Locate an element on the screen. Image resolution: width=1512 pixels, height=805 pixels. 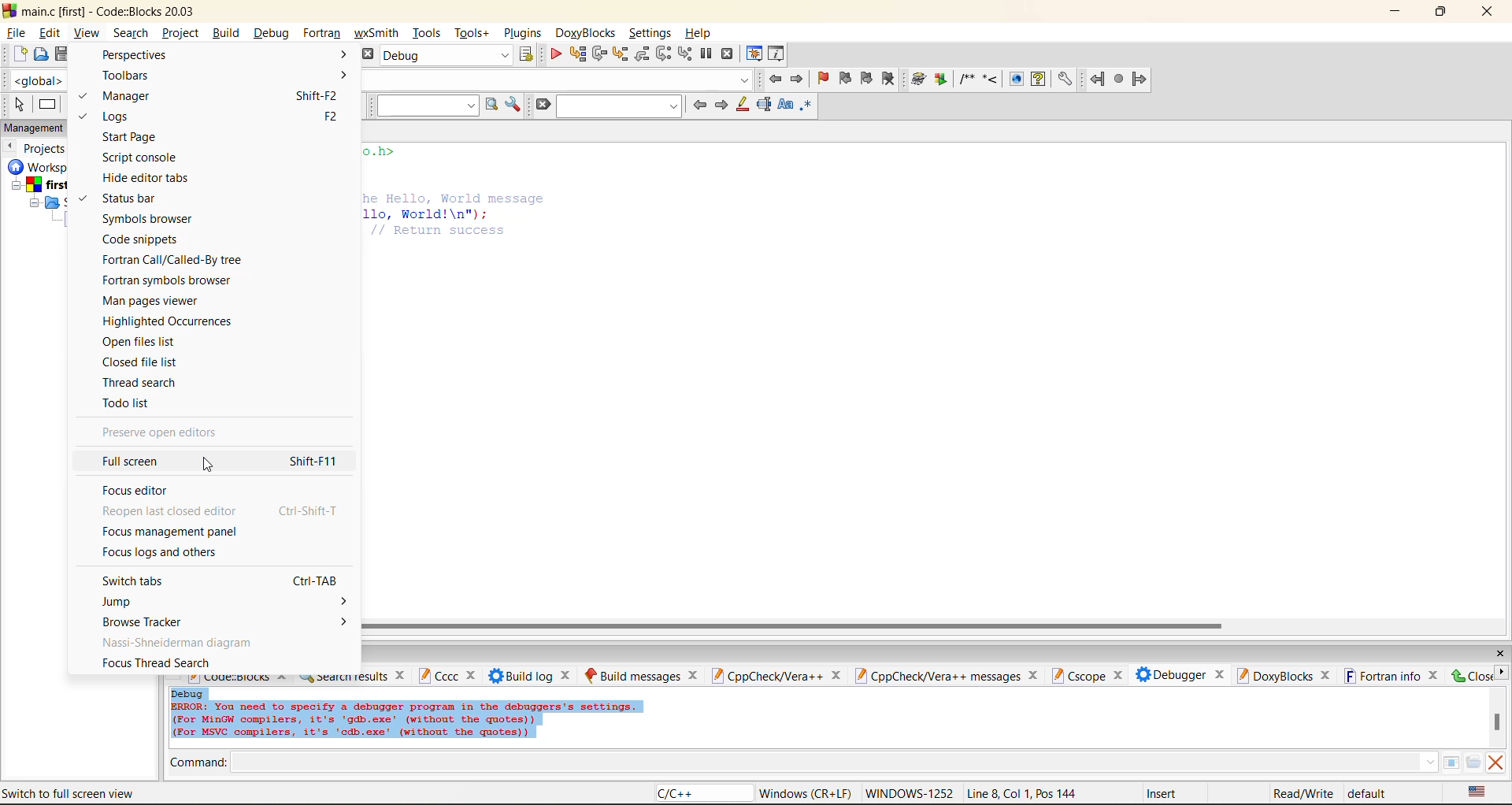
jump is located at coordinates (133, 602).